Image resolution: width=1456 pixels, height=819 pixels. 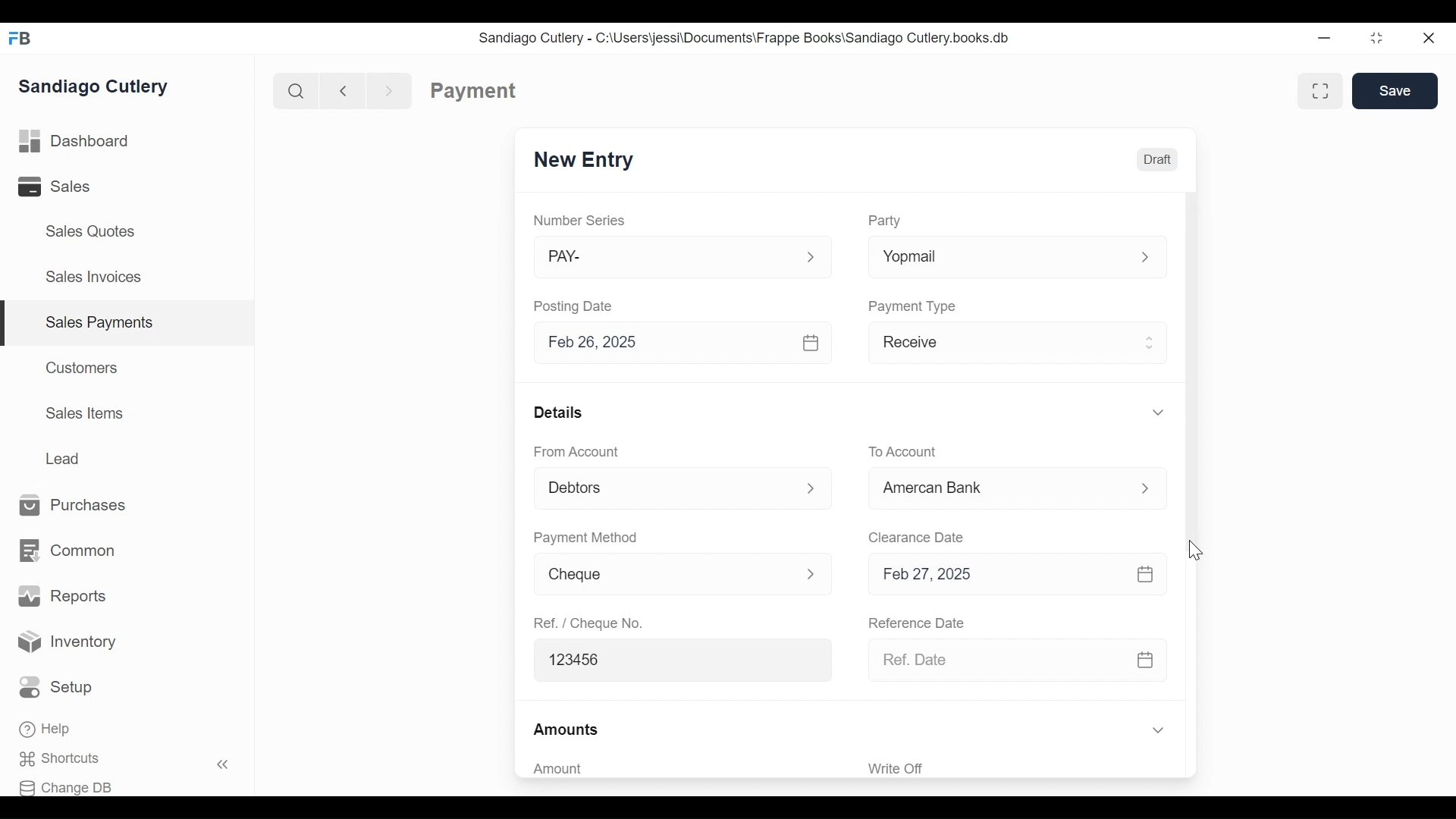 I want to click on Yopmail, so click(x=993, y=258).